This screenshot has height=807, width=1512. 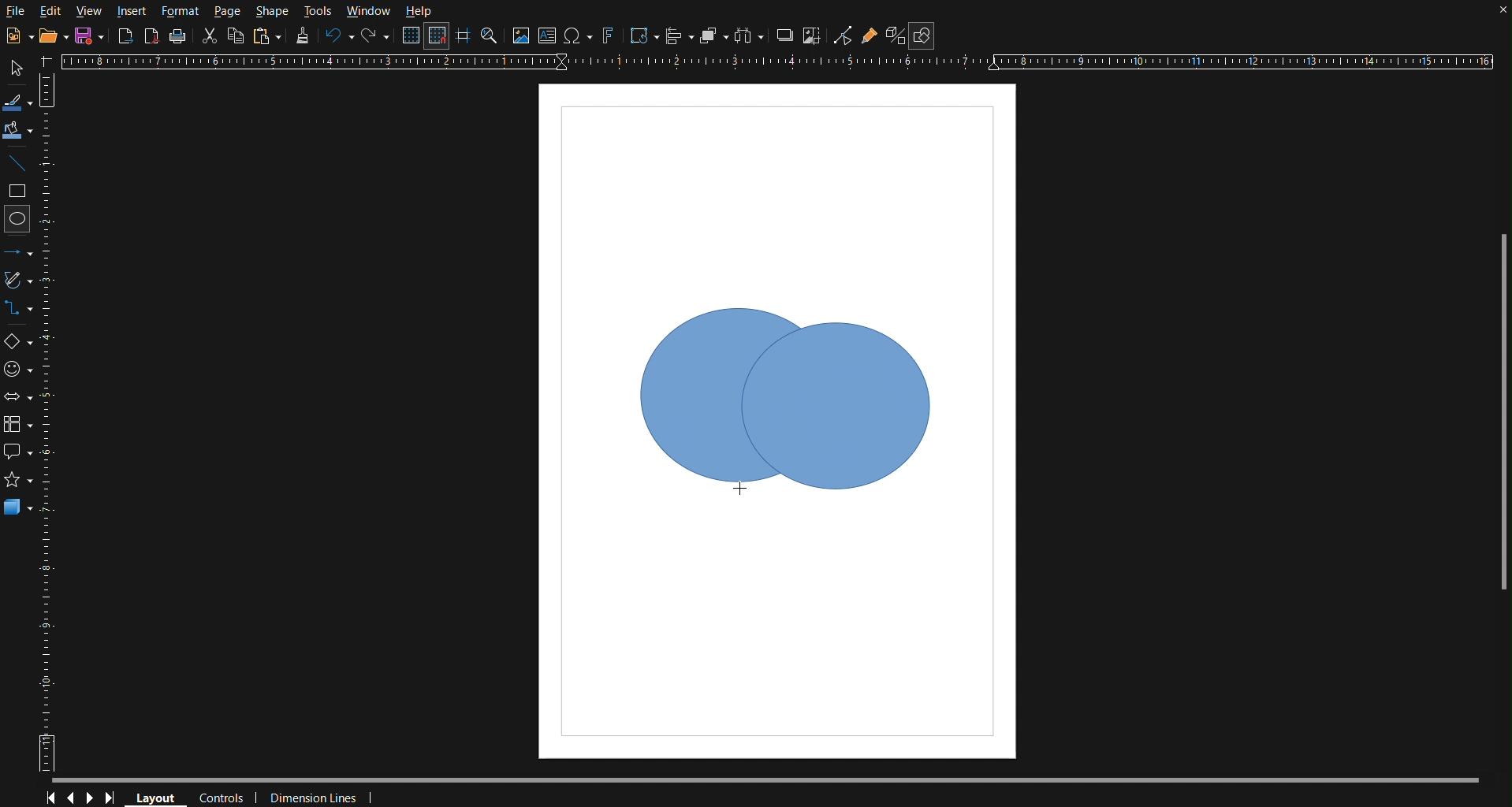 I want to click on Layout, so click(x=161, y=796).